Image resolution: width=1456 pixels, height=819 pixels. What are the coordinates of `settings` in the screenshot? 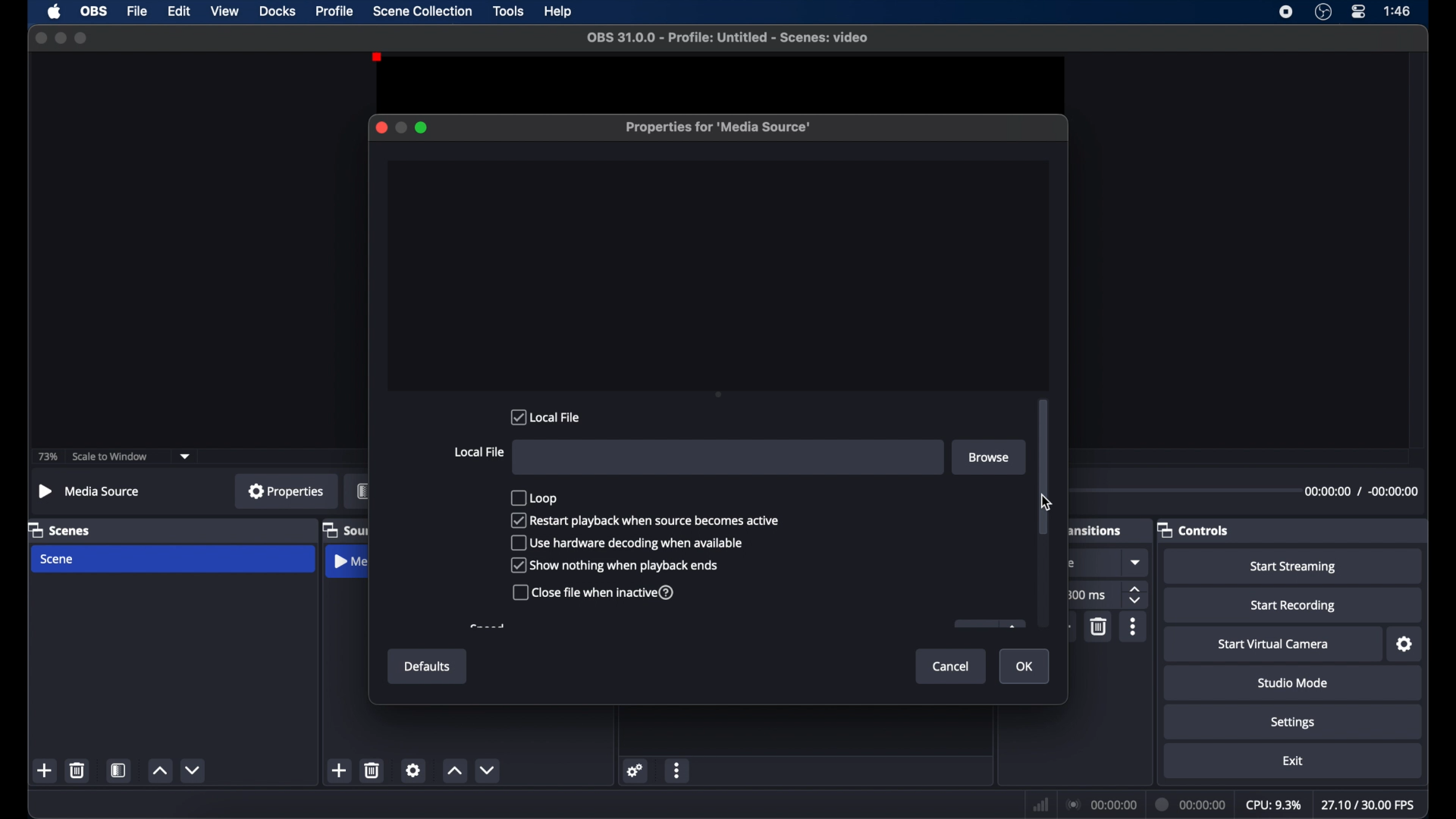 It's located at (1294, 723).